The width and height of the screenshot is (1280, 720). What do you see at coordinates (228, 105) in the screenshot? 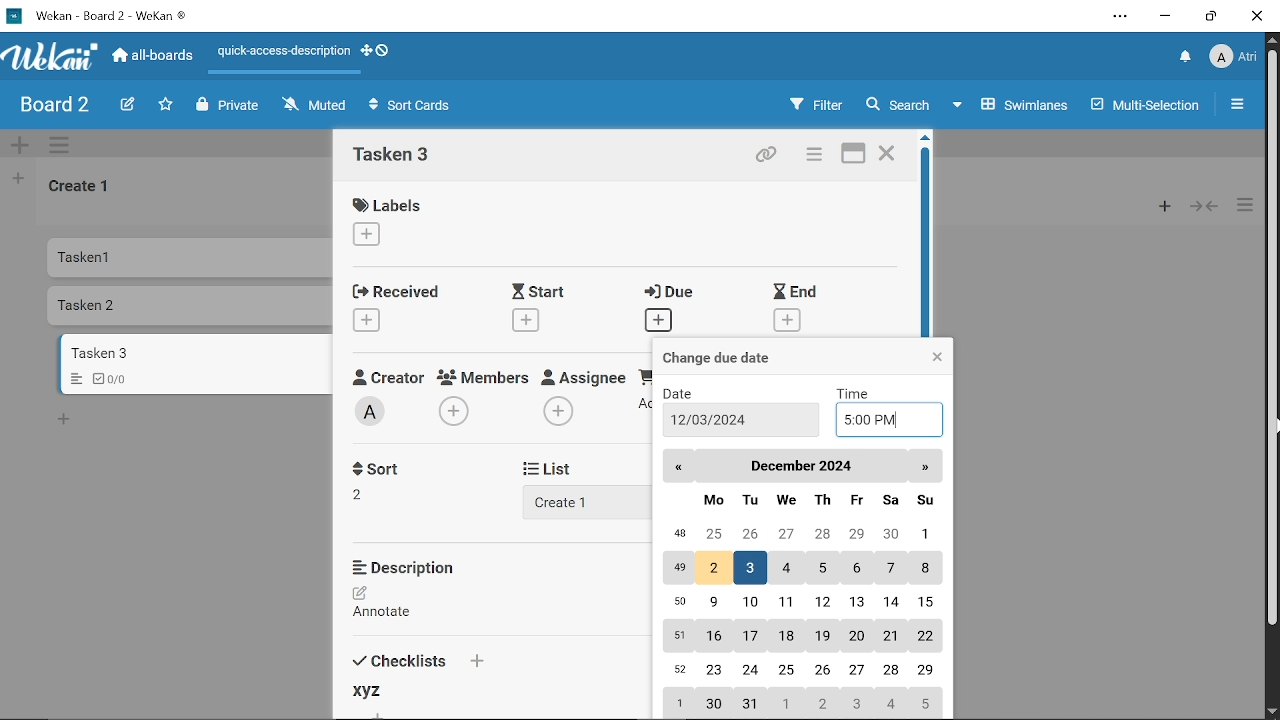
I see `Private` at bounding box center [228, 105].